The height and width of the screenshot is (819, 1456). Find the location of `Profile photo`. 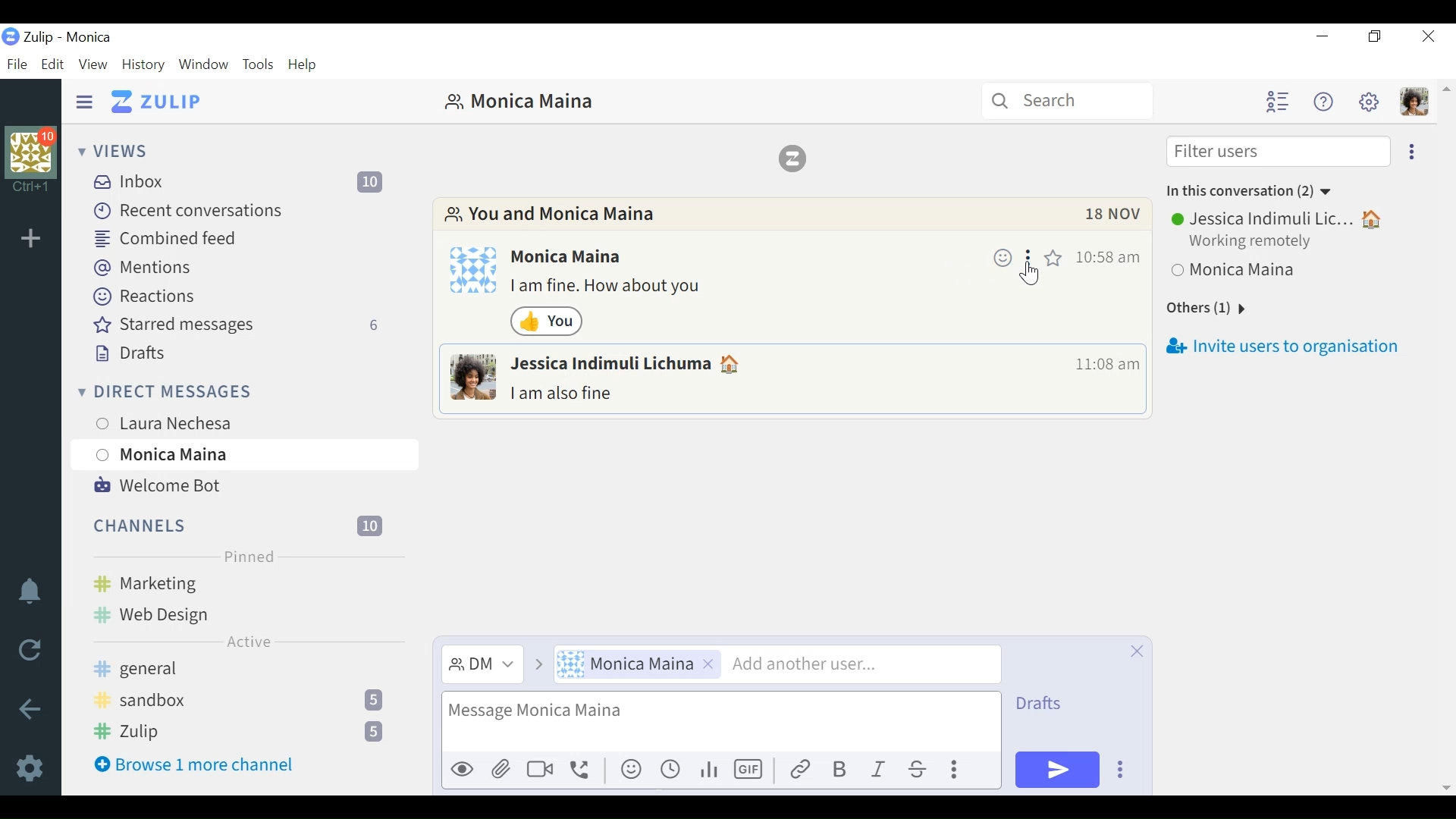

Profile photo is located at coordinates (474, 269).